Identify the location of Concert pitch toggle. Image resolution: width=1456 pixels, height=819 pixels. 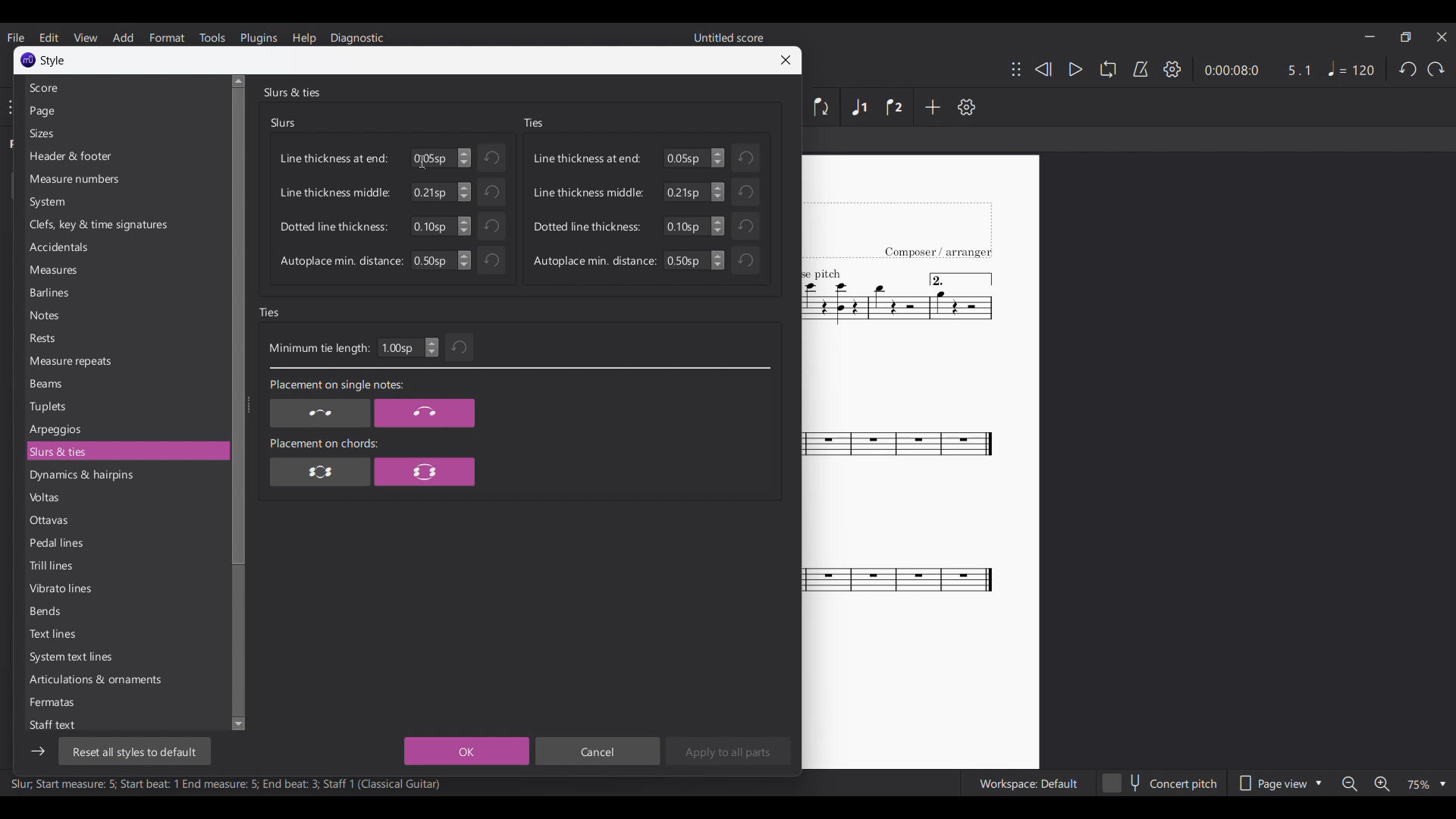
(1161, 783).